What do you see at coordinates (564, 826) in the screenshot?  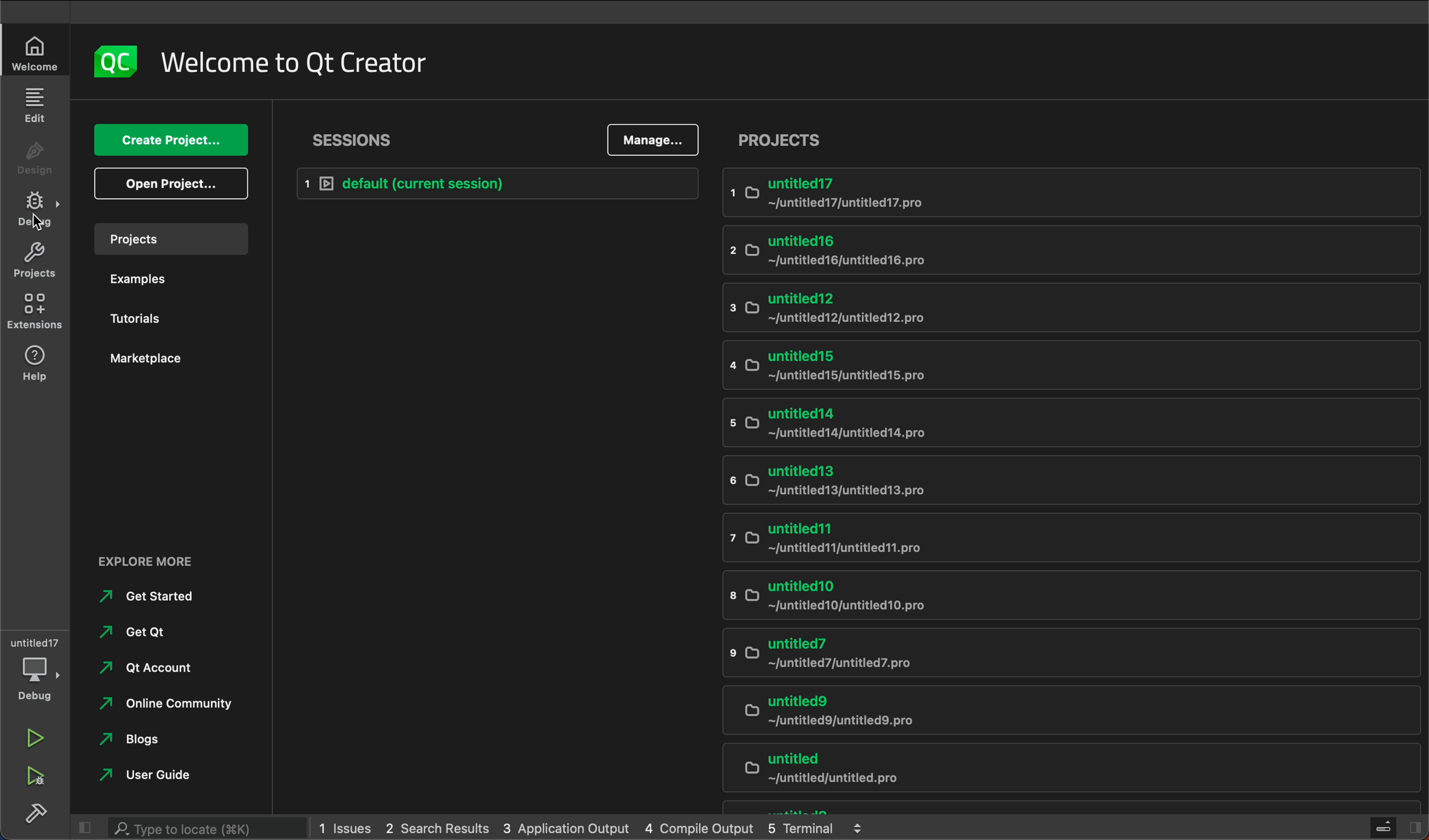 I see `3 Application Output` at bounding box center [564, 826].